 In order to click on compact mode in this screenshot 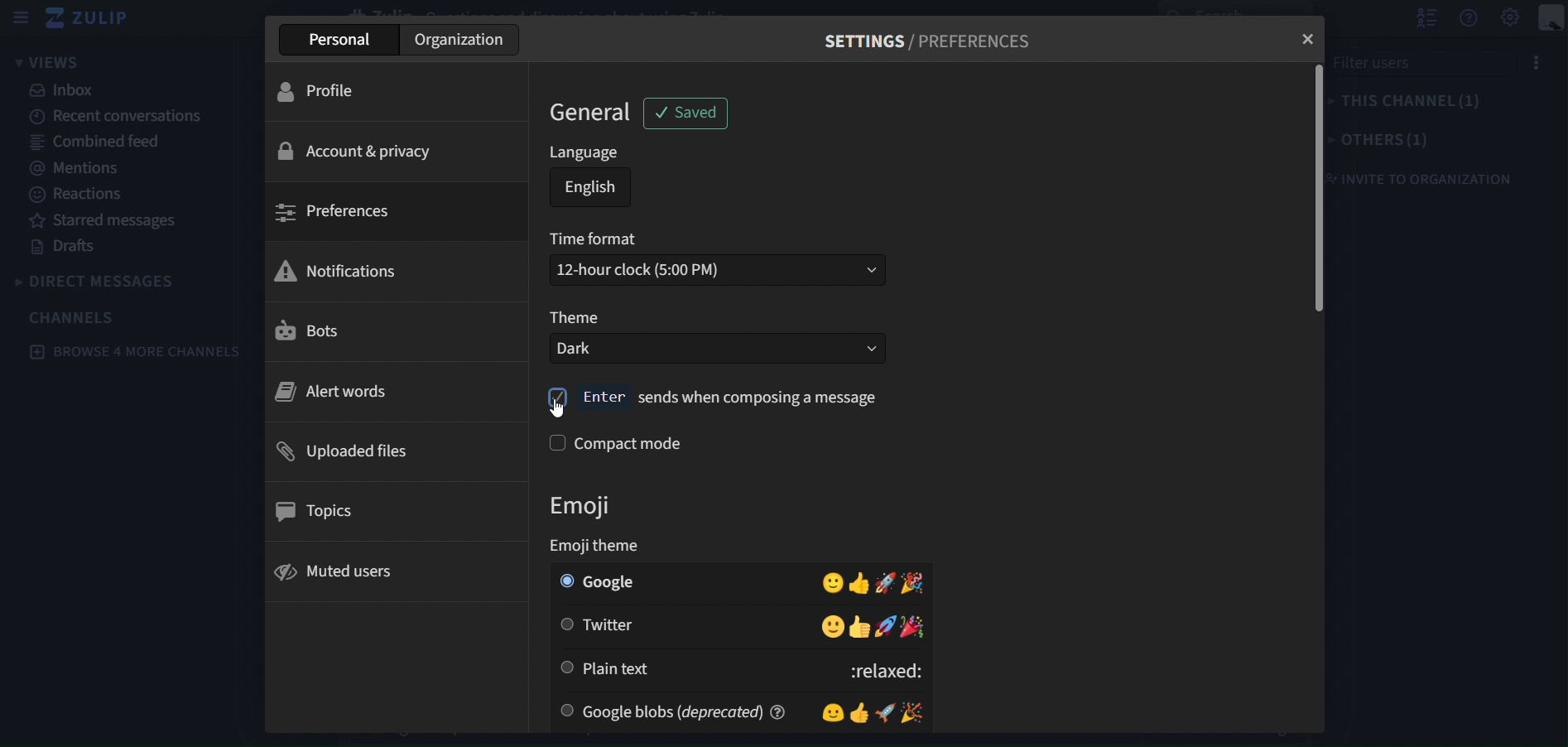, I will do `click(632, 444)`.